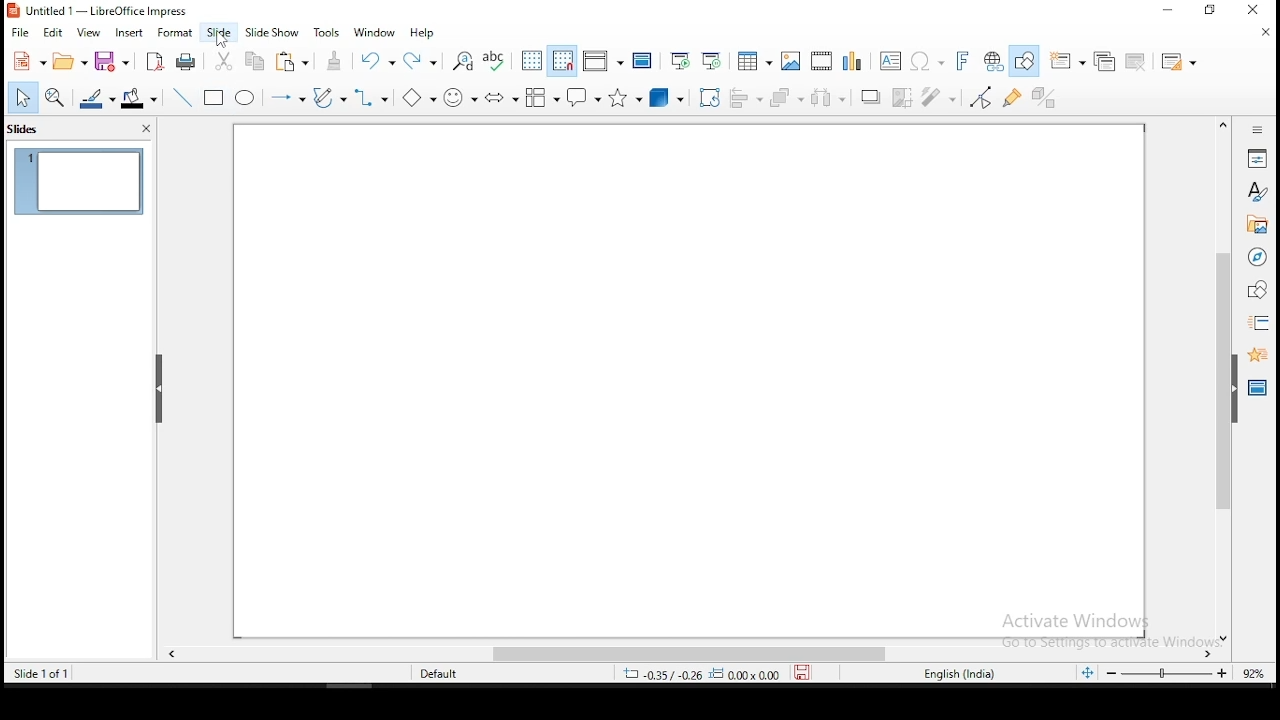 The image size is (1280, 720). I want to click on animation, so click(1258, 355).